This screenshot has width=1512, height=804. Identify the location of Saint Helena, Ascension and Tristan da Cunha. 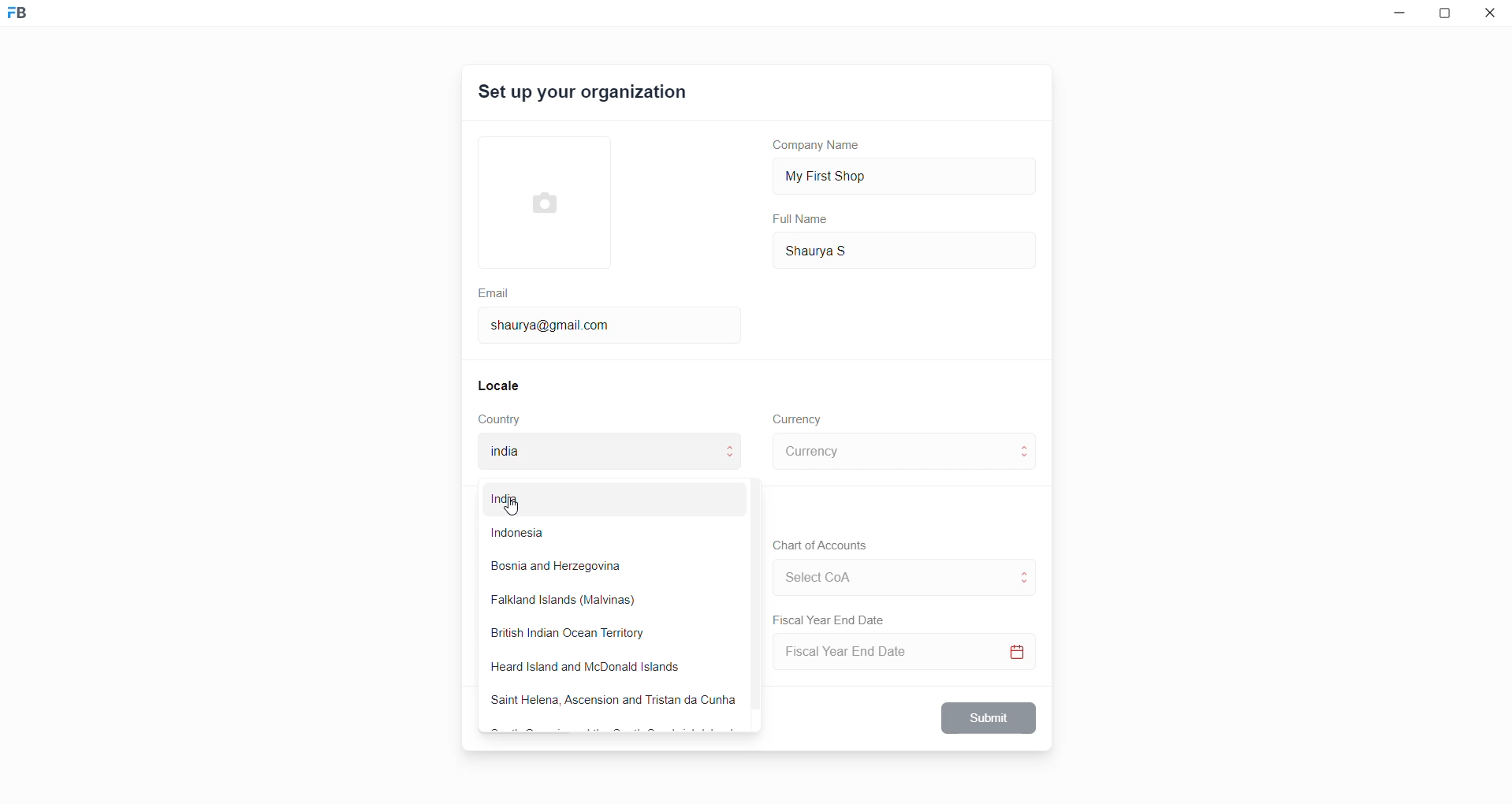
(606, 702).